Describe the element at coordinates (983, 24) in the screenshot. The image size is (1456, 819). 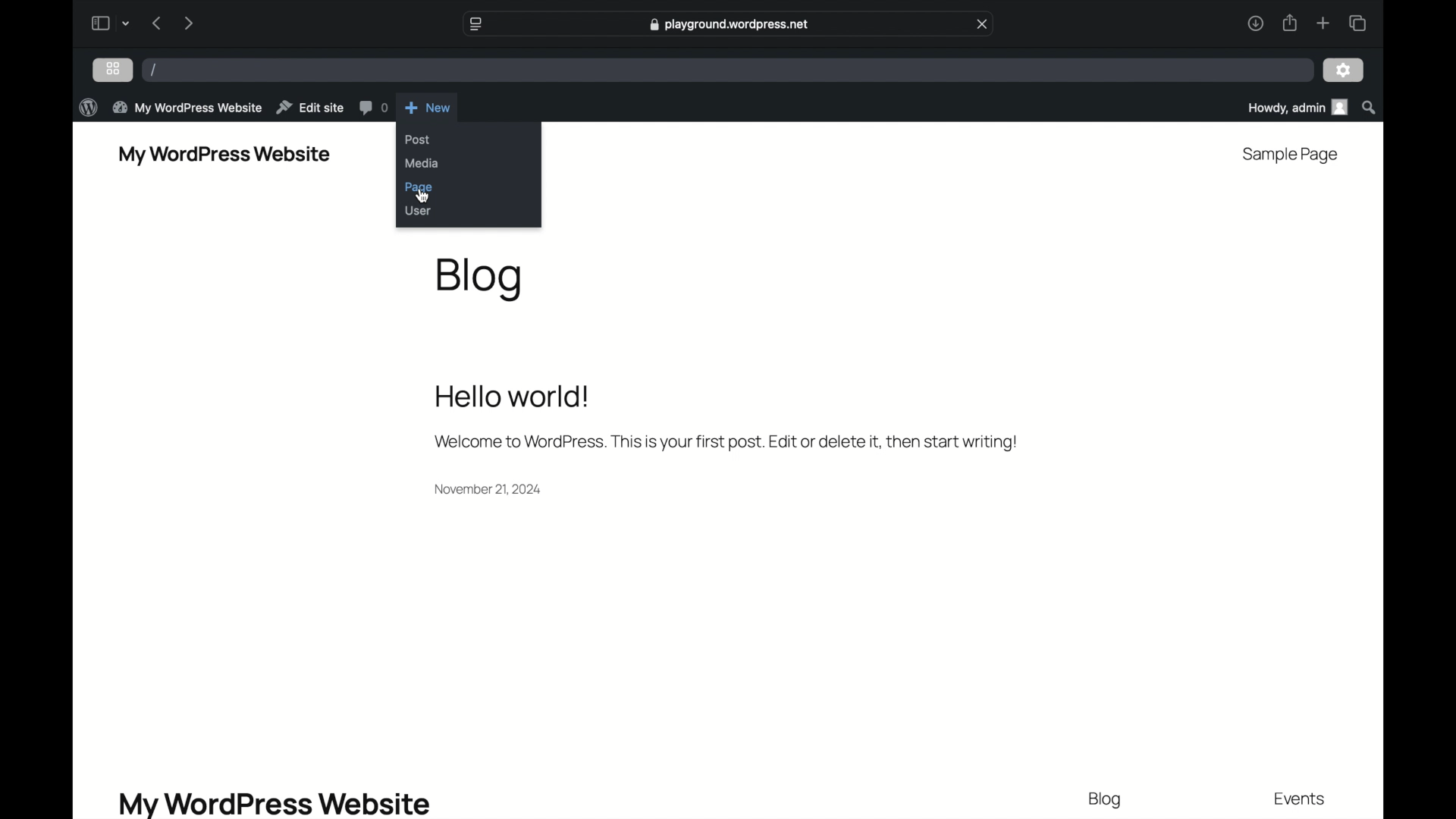
I see `close` at that location.